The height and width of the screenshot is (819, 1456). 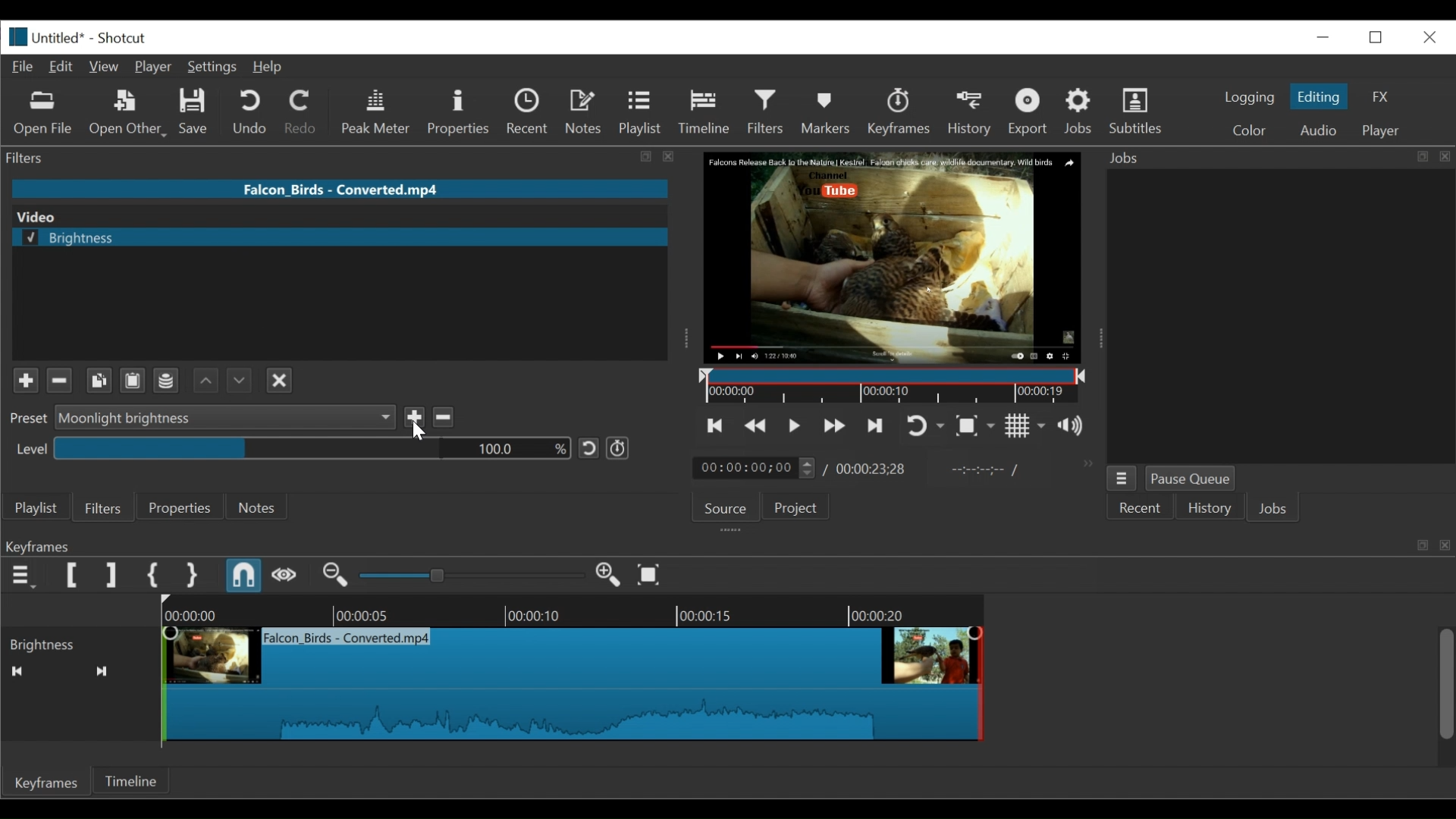 I want to click on Current duration, so click(x=757, y=468).